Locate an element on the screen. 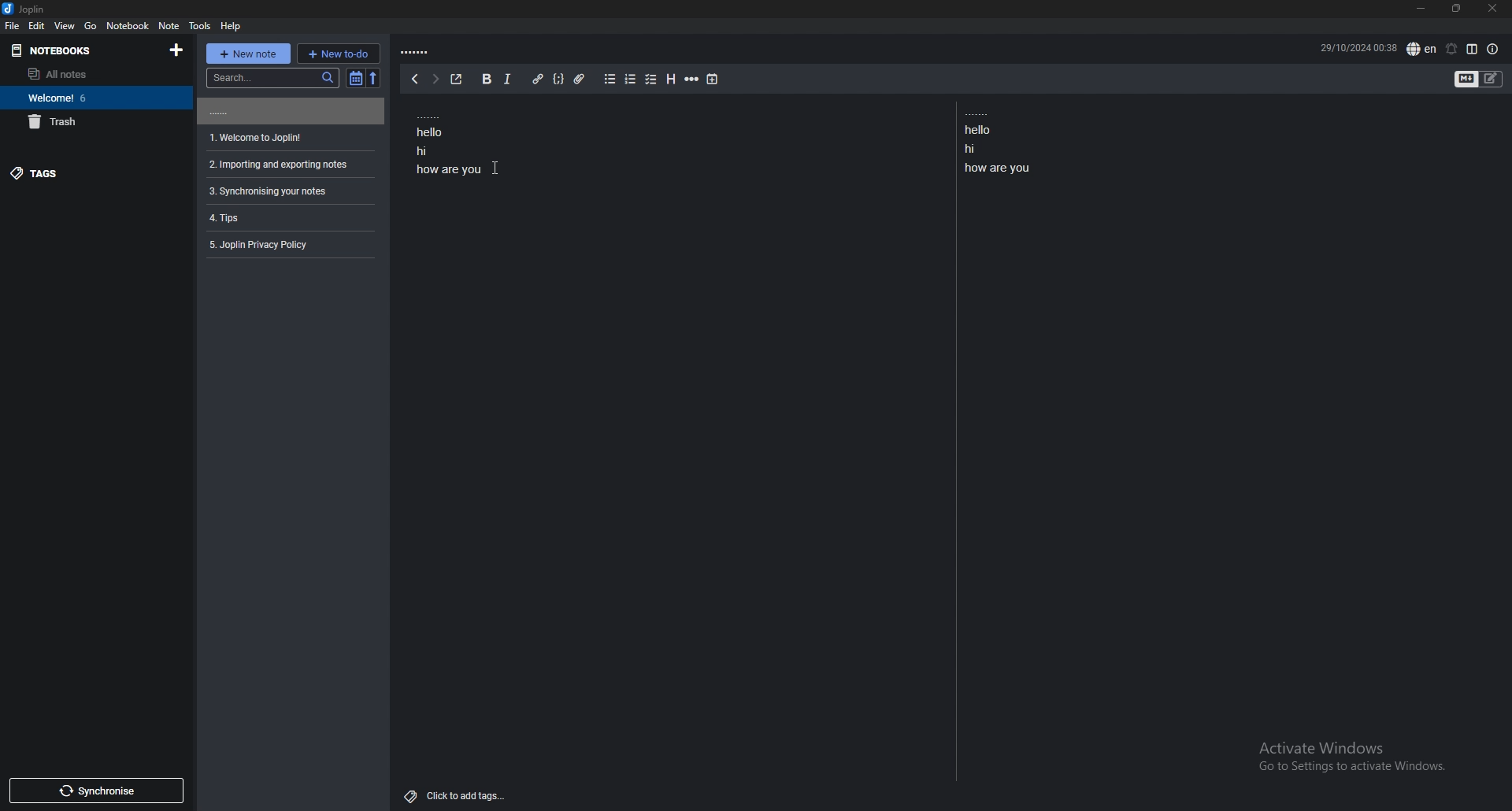 Image resolution: width=1512 pixels, height=811 pixels. joplin is located at coordinates (26, 9).